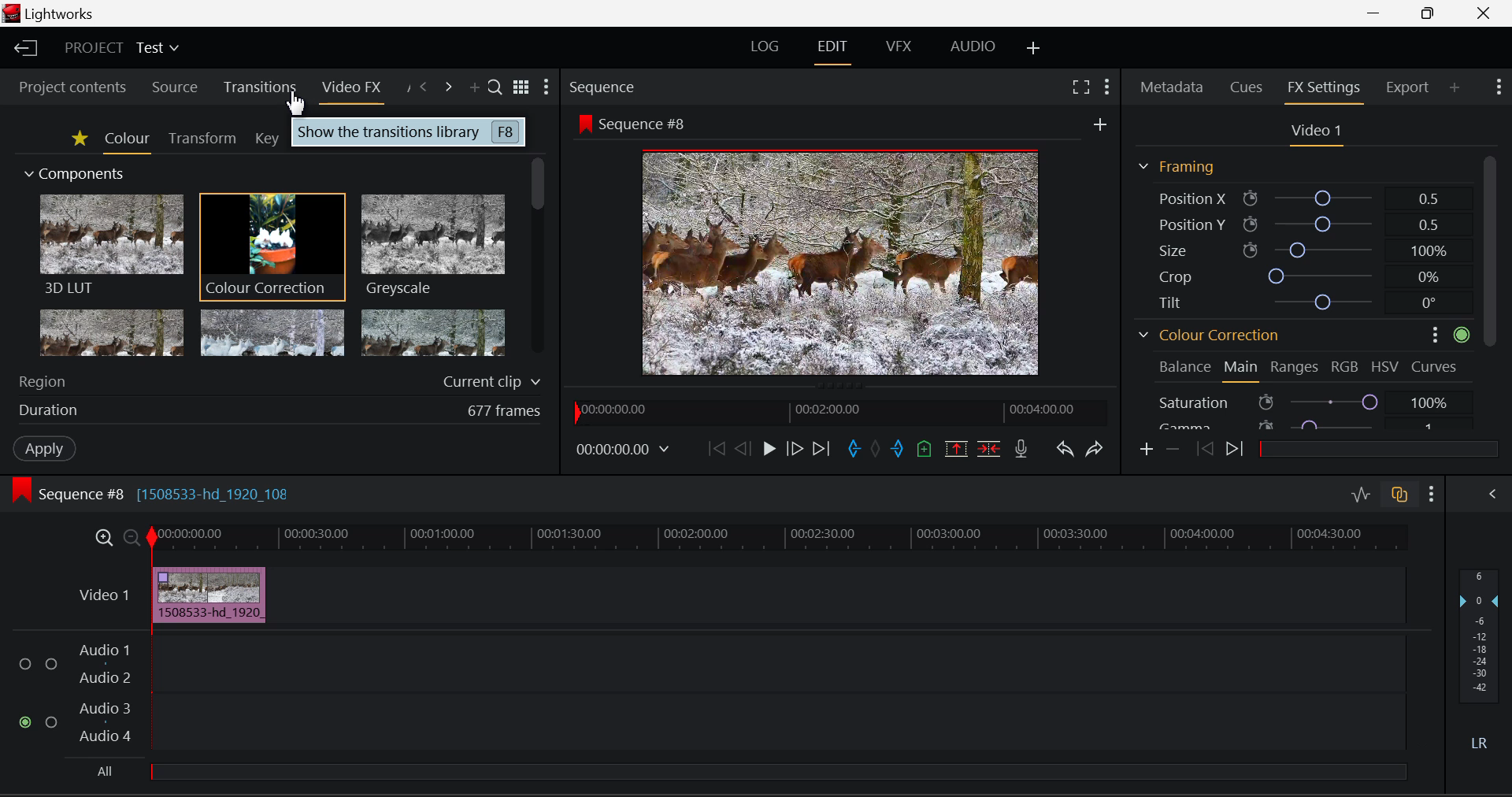 The height and width of the screenshot is (797, 1512). What do you see at coordinates (1299, 301) in the screenshot?
I see `Tilt` at bounding box center [1299, 301].